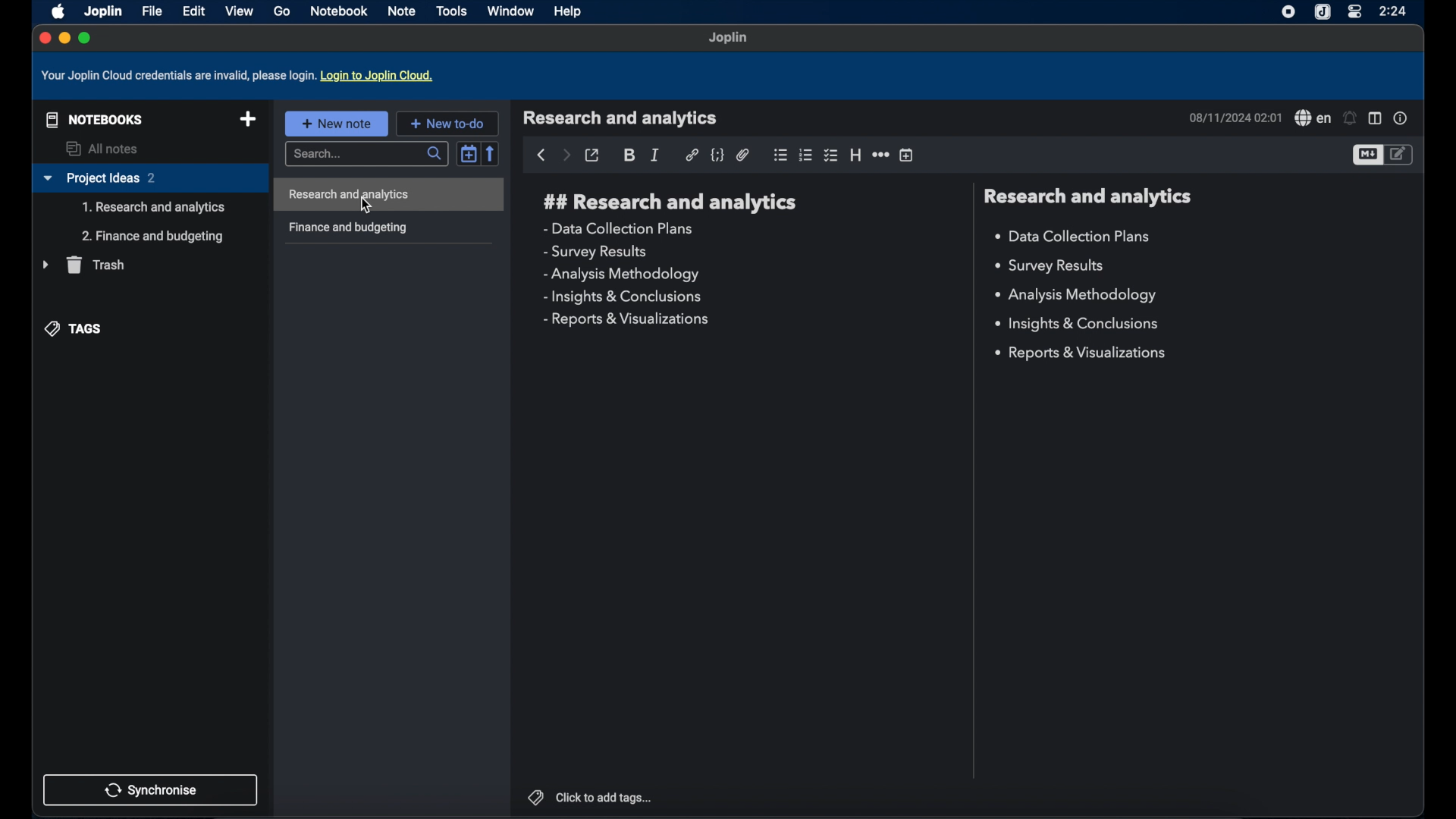  Describe the element at coordinates (855, 155) in the screenshot. I see `heading` at that location.